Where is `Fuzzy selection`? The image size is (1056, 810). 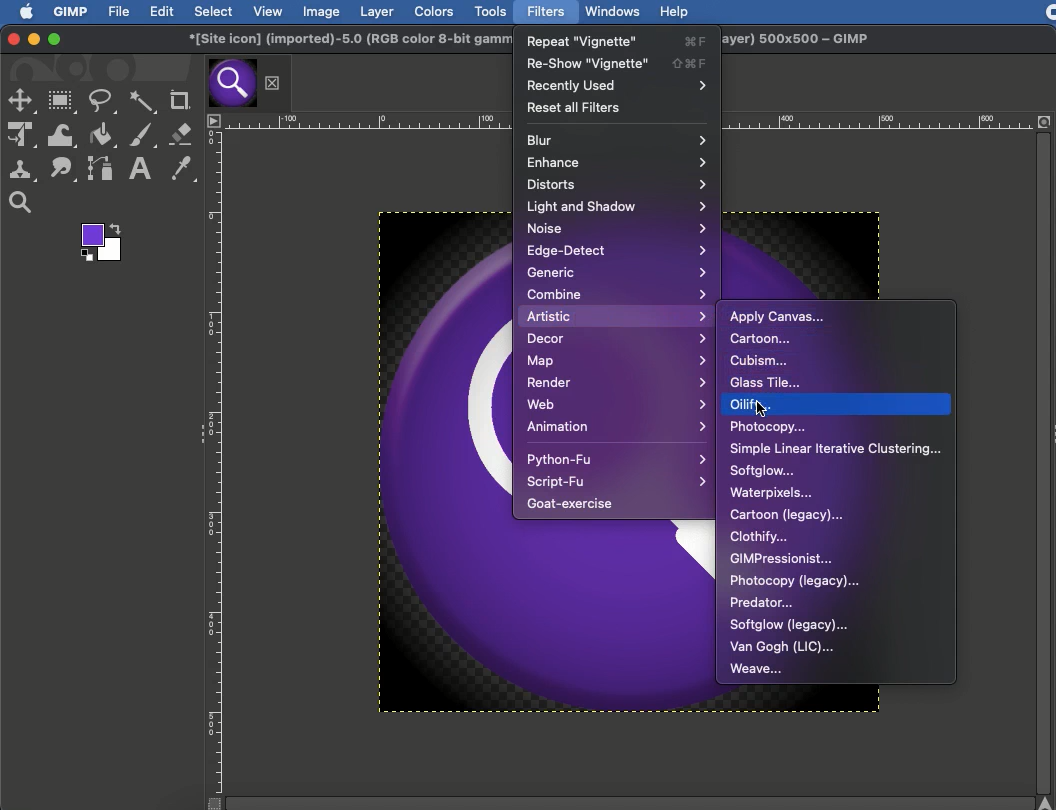
Fuzzy selection is located at coordinates (143, 102).